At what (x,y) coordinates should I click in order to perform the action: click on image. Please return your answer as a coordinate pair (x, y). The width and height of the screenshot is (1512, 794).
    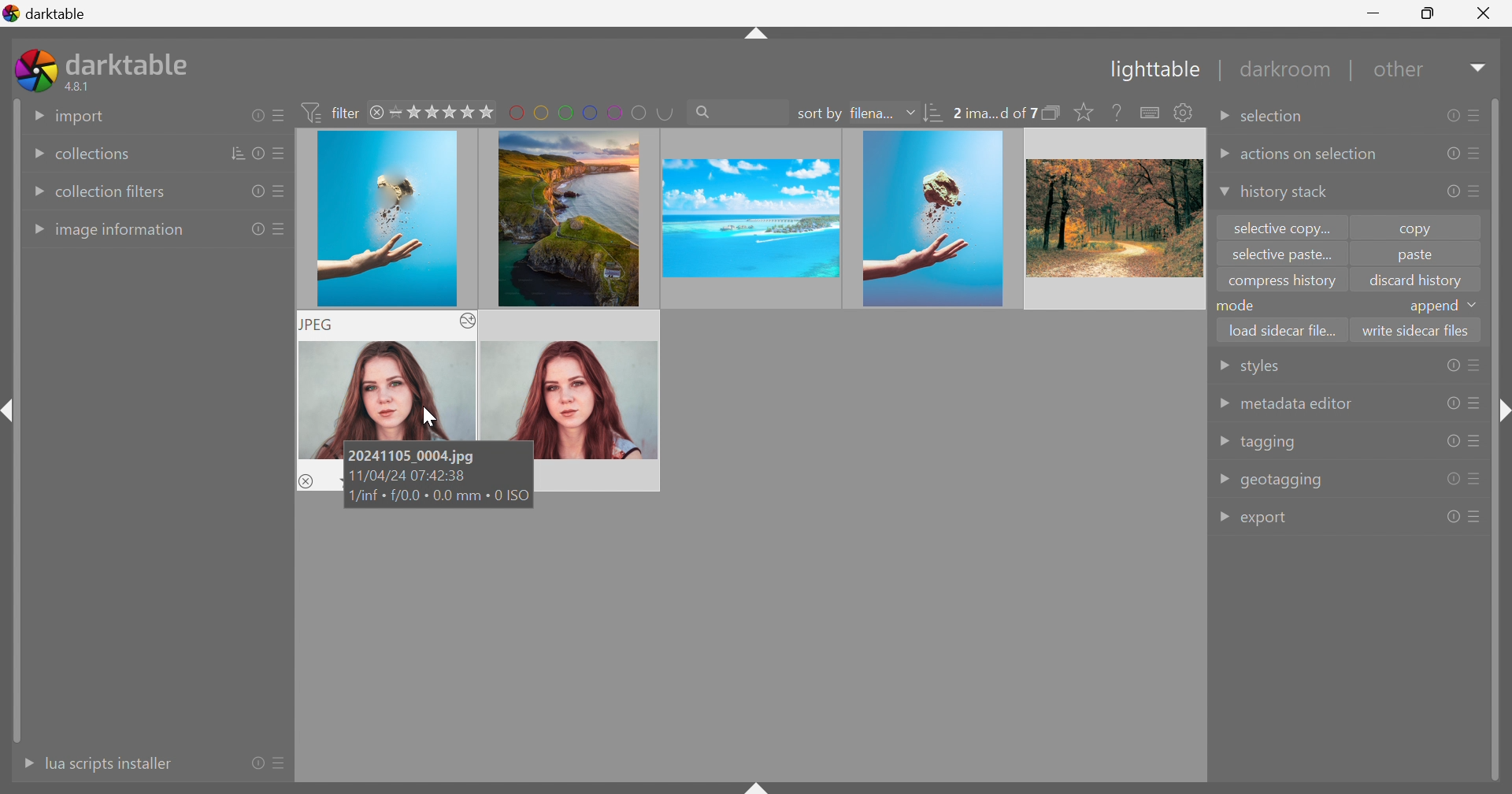
    Looking at the image, I should click on (565, 217).